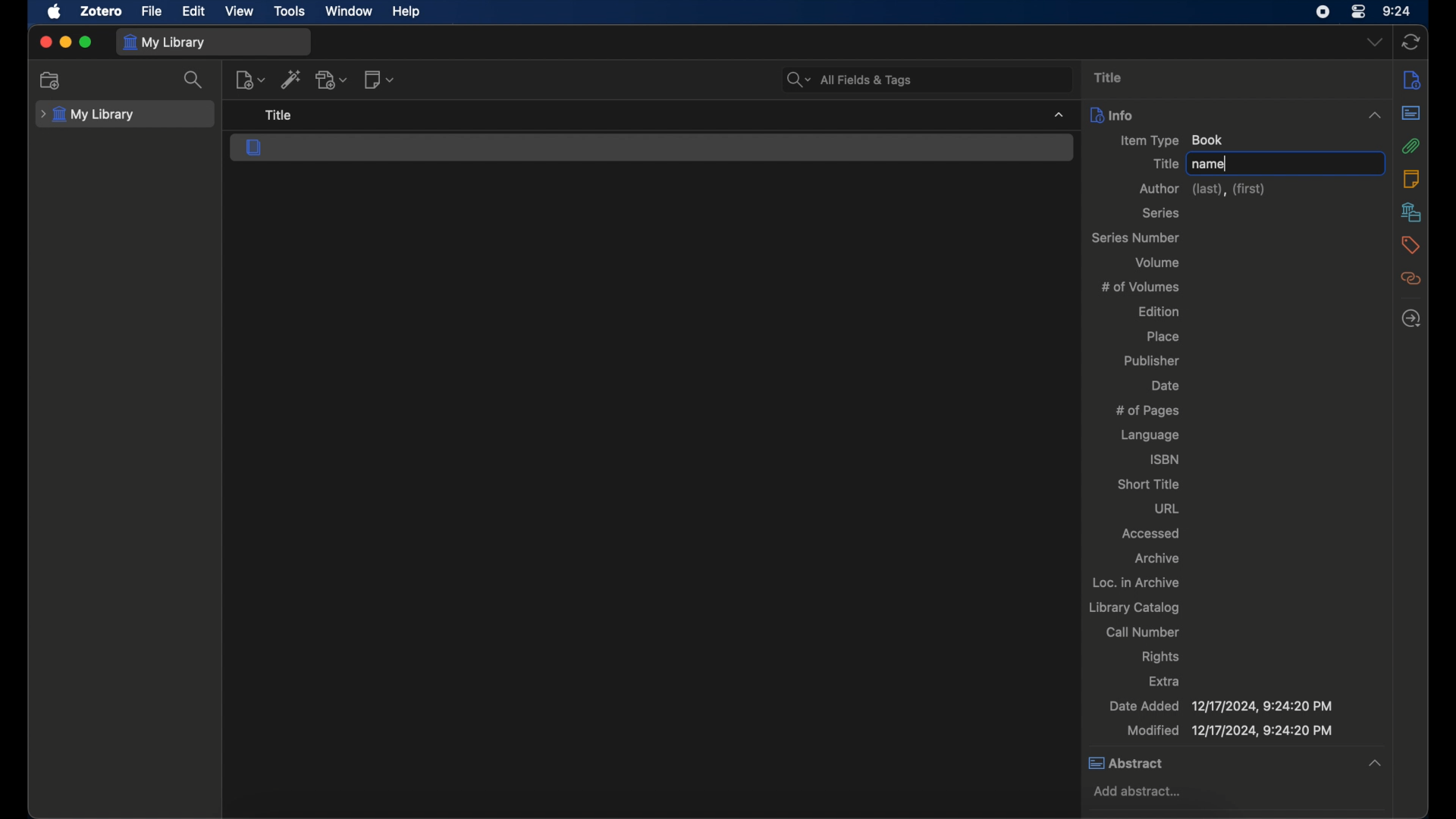 The width and height of the screenshot is (1456, 819). What do you see at coordinates (1414, 279) in the screenshot?
I see `related` at bounding box center [1414, 279].